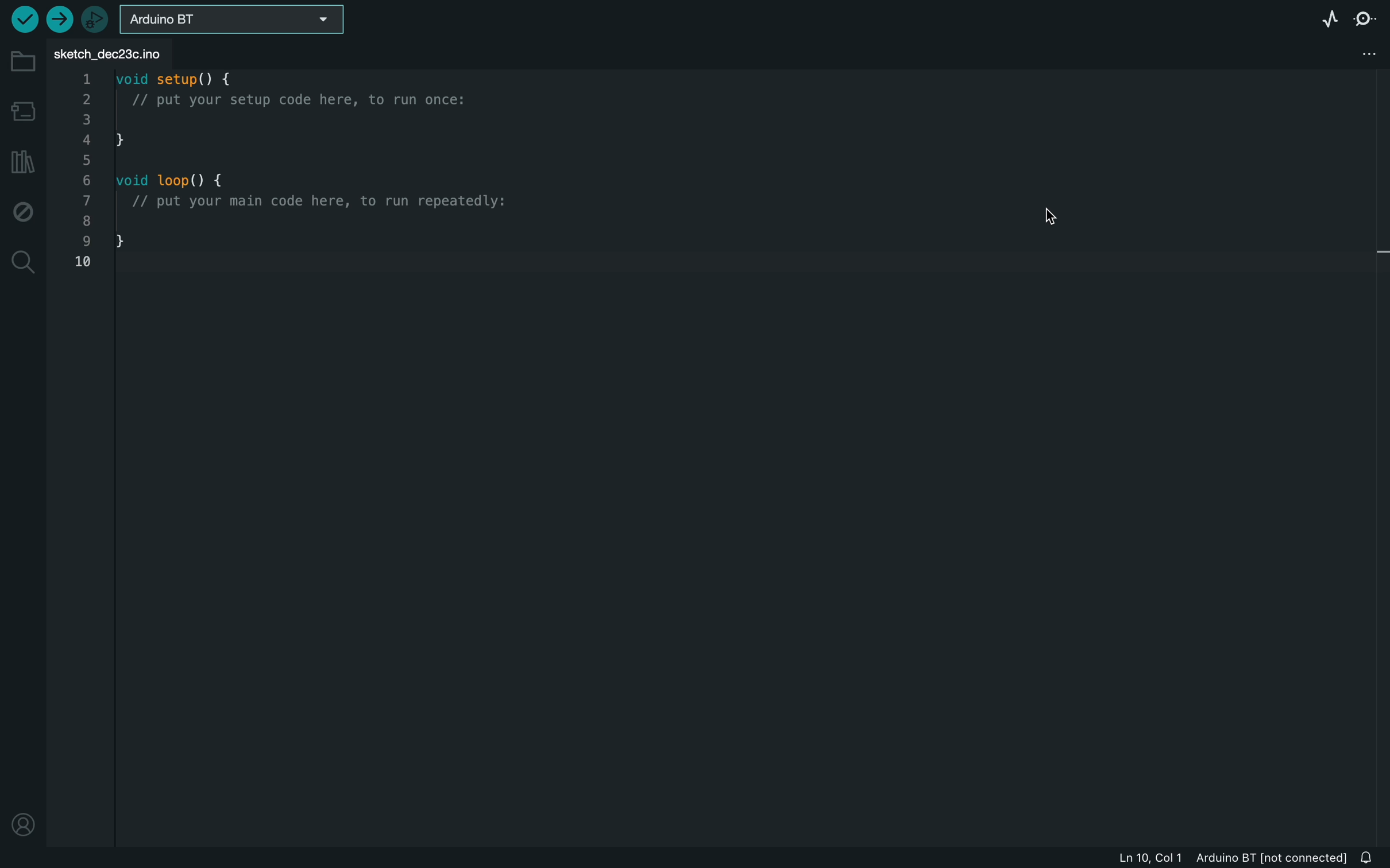 The height and width of the screenshot is (868, 1390). I want to click on serial plotter, so click(1326, 17).